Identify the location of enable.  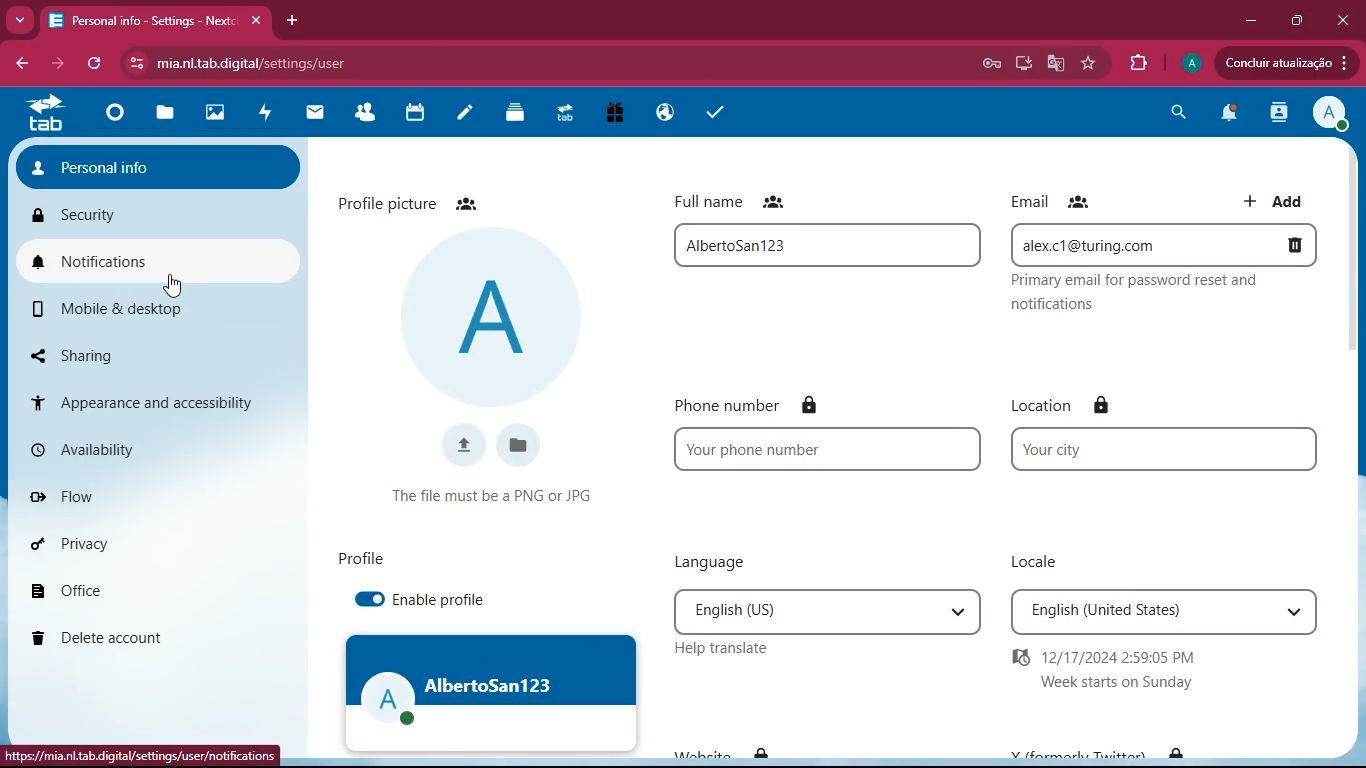
(364, 601).